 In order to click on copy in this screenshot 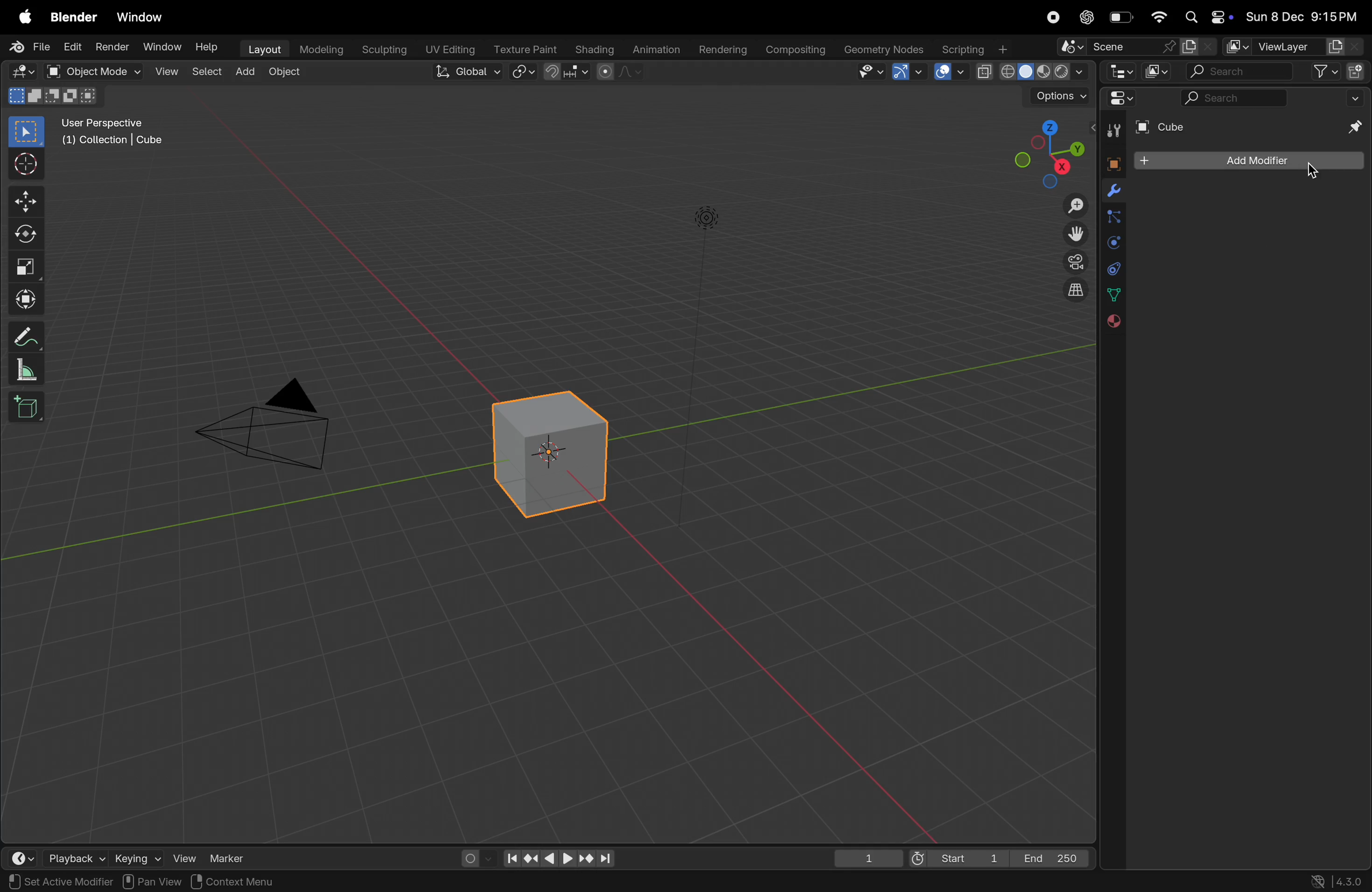, I will do `click(1198, 47)`.